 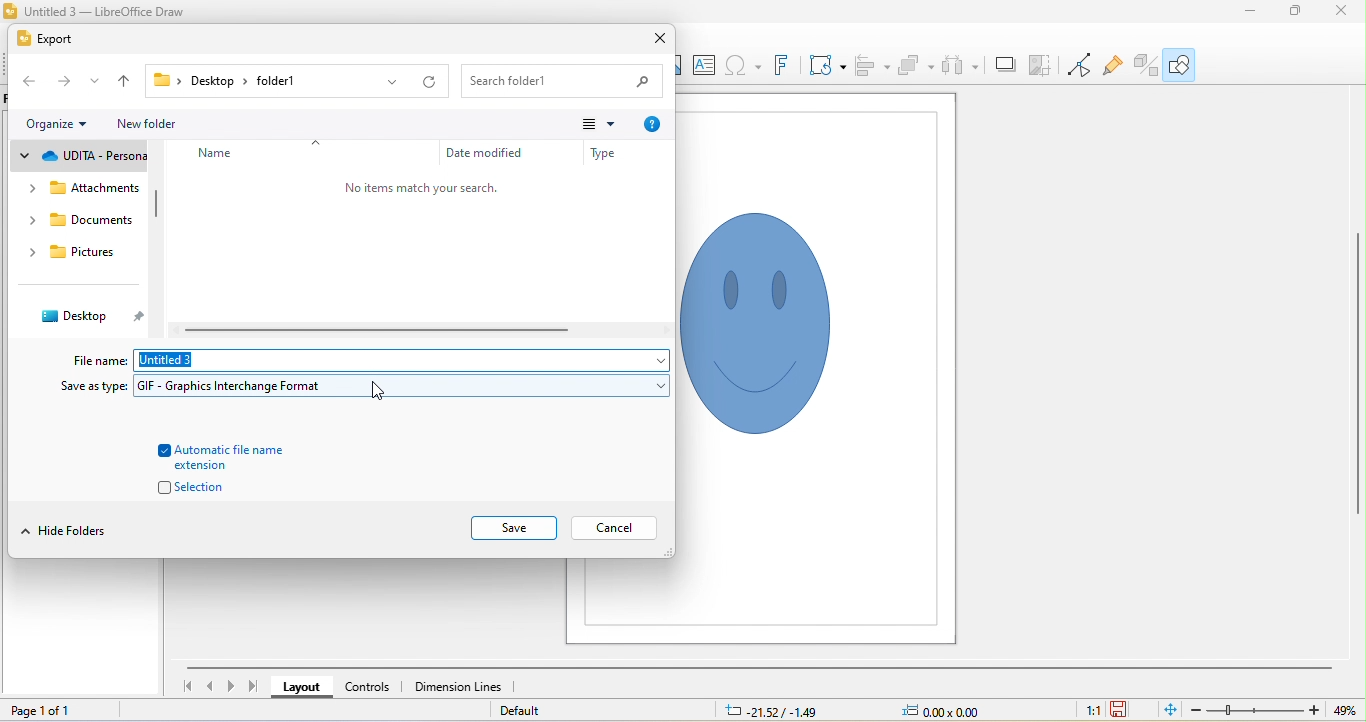 What do you see at coordinates (1144, 67) in the screenshot?
I see `toggle extrusion` at bounding box center [1144, 67].